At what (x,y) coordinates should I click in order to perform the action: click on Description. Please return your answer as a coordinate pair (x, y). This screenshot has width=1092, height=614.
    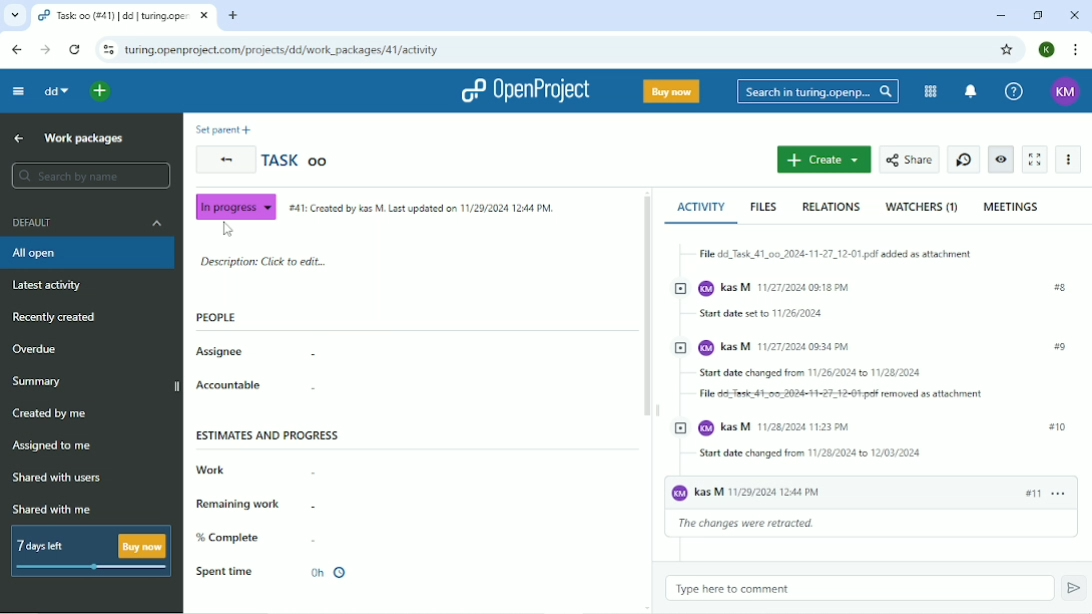
    Looking at the image, I should click on (267, 262).